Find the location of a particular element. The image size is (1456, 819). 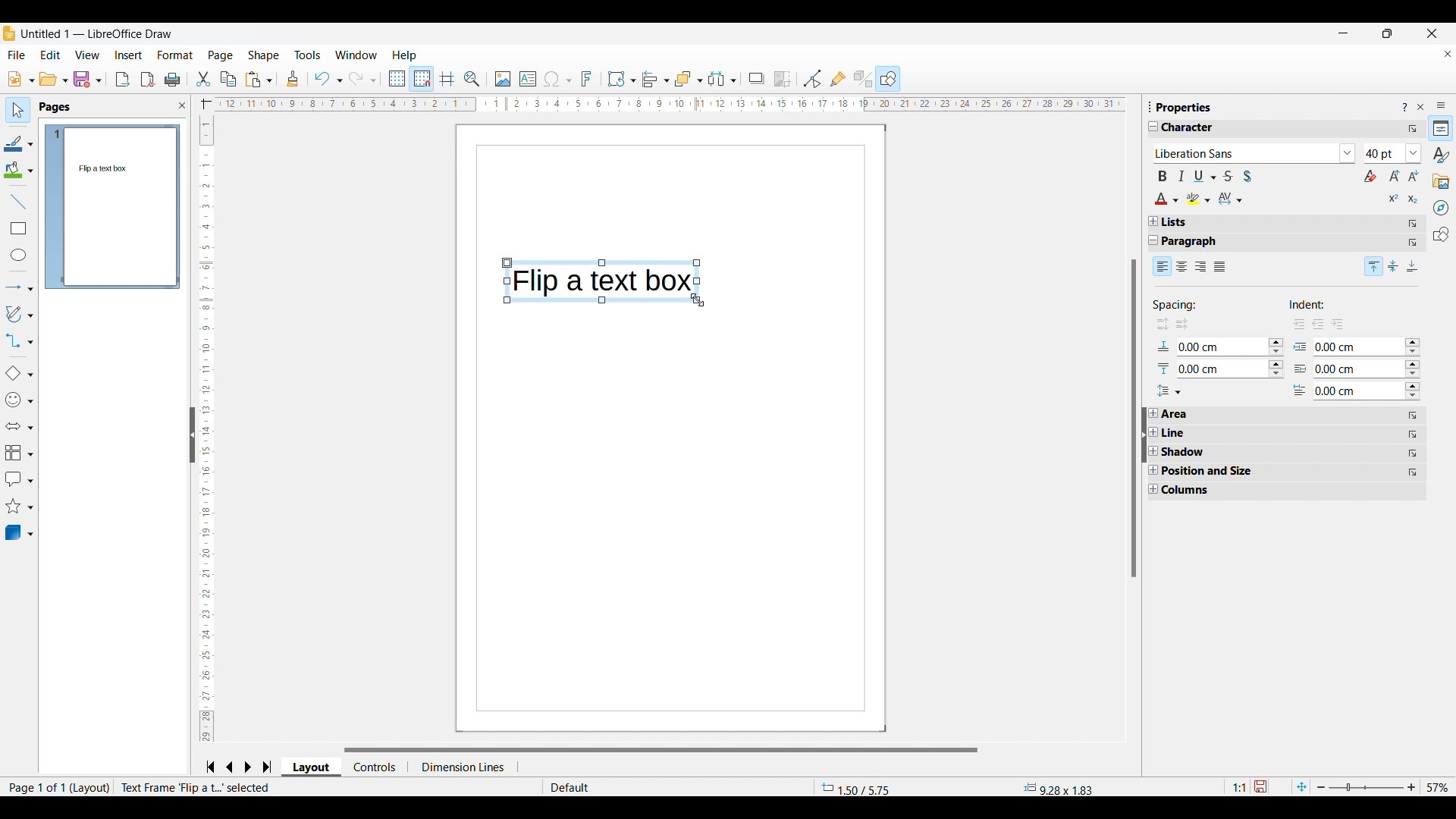

Change respective indent option is located at coordinates (1414, 370).